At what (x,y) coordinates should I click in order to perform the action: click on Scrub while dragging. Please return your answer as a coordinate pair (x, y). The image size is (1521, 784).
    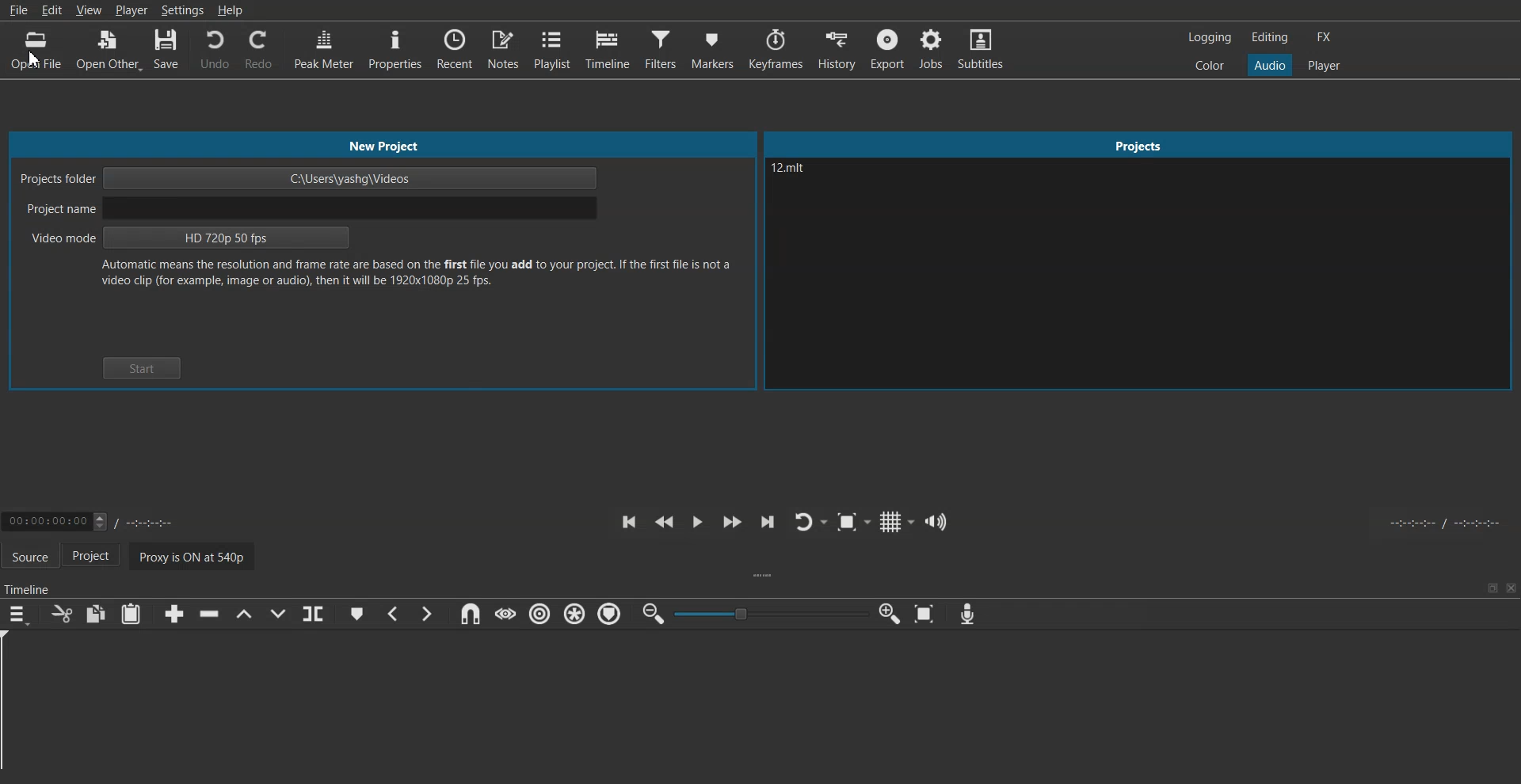
    Looking at the image, I should click on (505, 614).